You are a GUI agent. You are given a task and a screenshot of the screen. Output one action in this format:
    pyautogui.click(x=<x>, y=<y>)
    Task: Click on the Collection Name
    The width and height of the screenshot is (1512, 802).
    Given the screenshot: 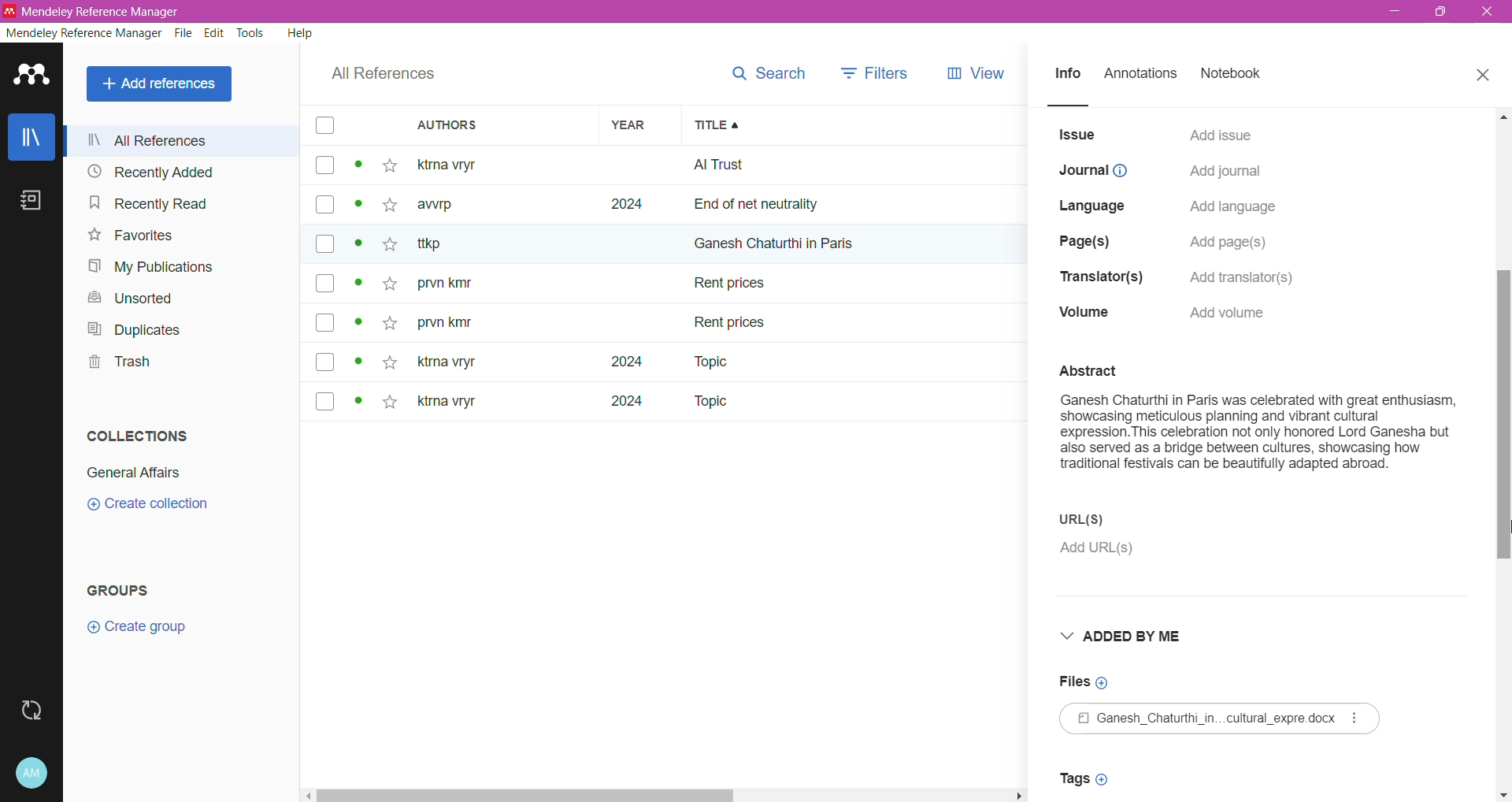 What is the action you would take?
    pyautogui.click(x=137, y=470)
    